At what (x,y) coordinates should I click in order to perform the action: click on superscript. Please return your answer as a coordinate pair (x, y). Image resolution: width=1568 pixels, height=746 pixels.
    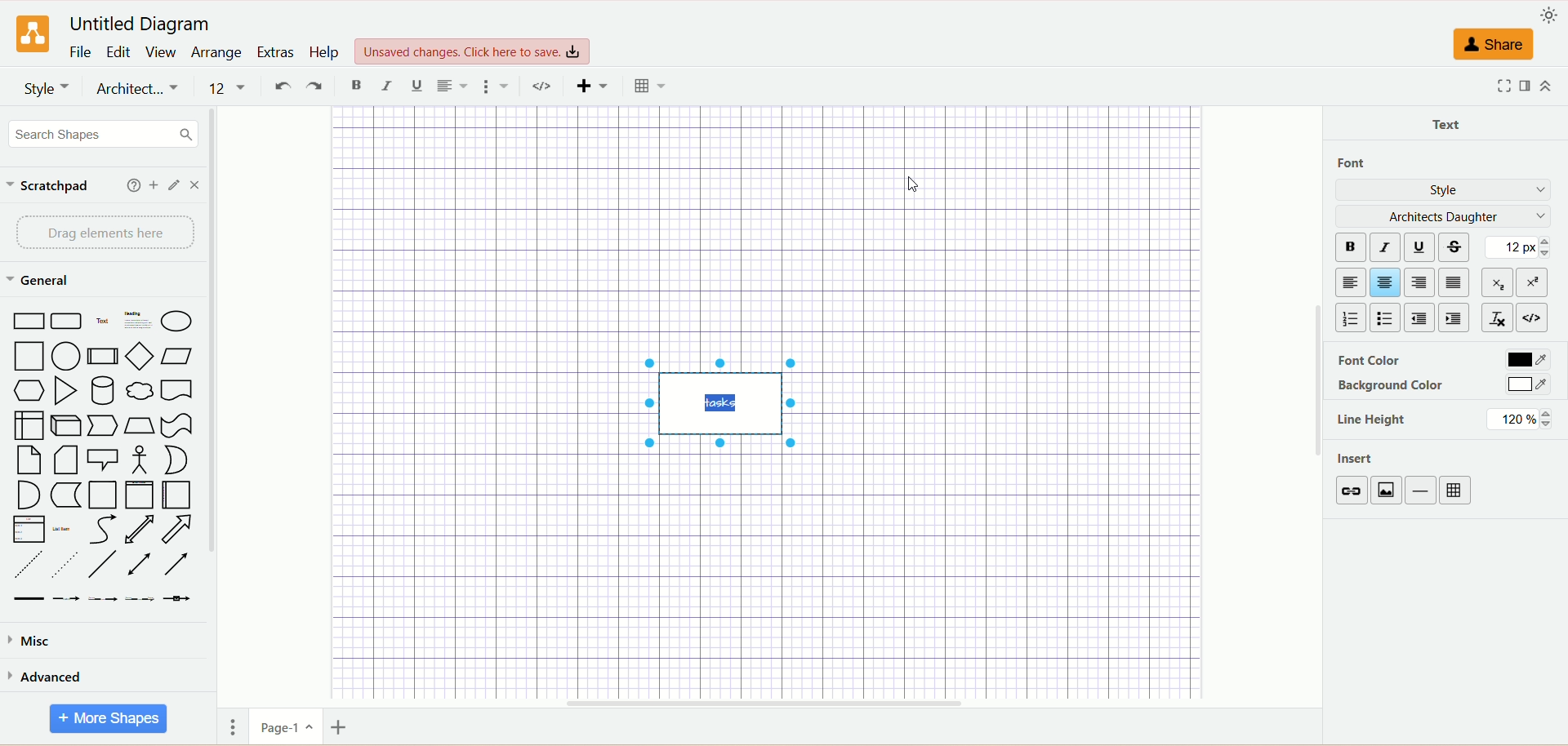
    Looking at the image, I should click on (1536, 282).